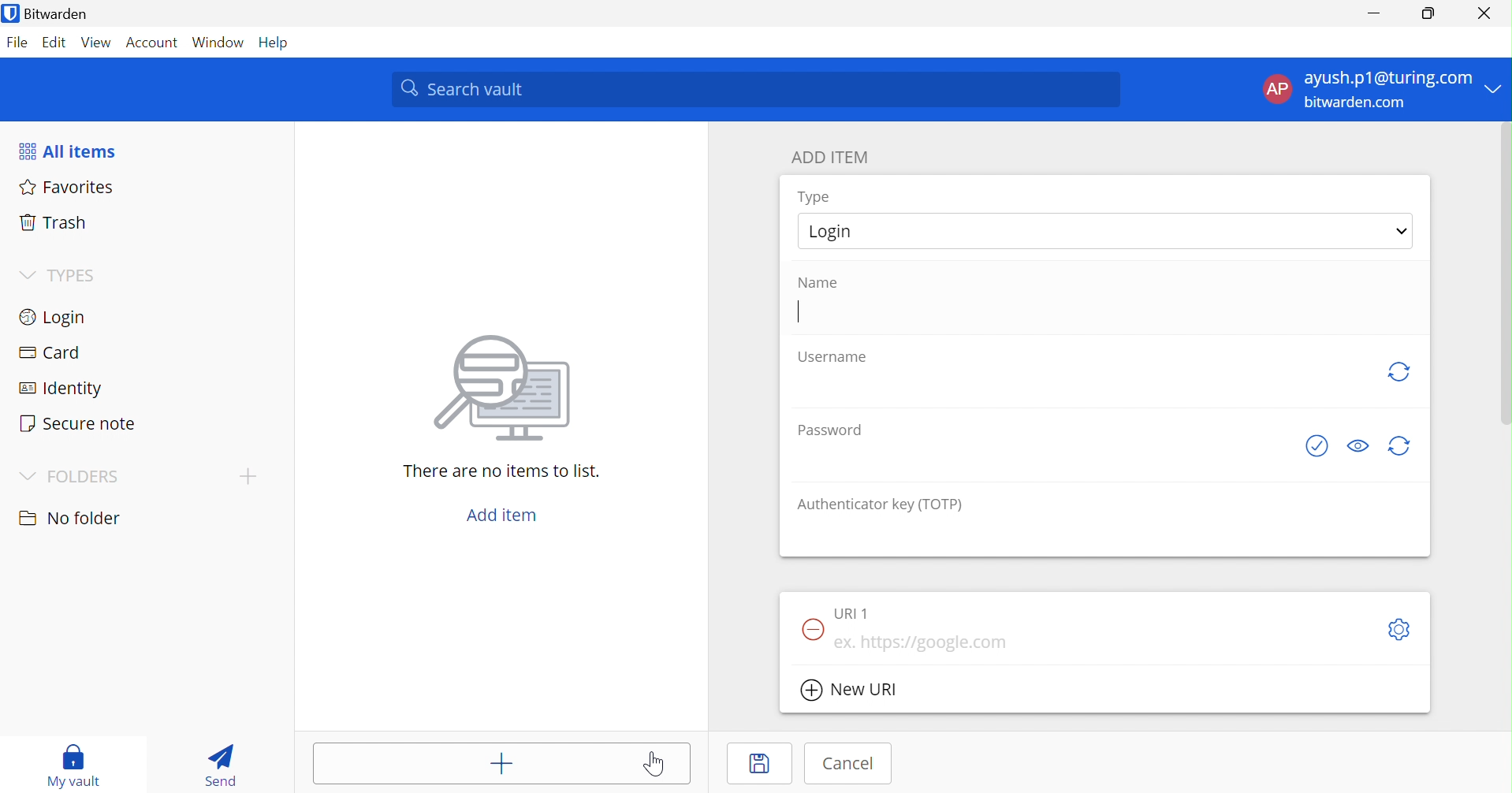 Image resolution: width=1512 pixels, height=793 pixels. Describe the element at coordinates (835, 234) in the screenshot. I see `Login` at that location.